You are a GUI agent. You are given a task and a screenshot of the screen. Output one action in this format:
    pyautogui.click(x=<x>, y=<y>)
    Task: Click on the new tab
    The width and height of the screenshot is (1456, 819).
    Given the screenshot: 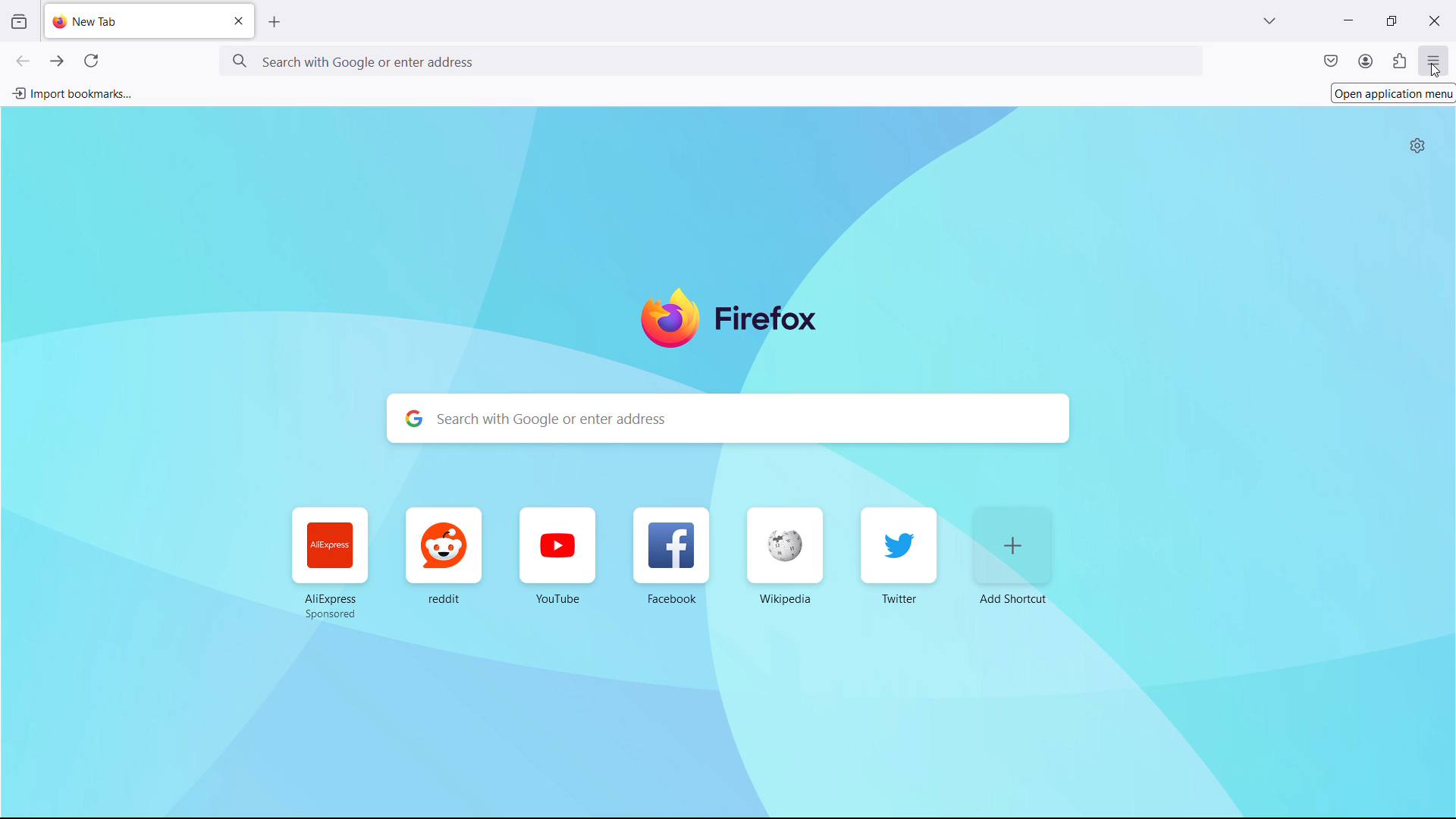 What is the action you would take?
    pyautogui.click(x=87, y=21)
    